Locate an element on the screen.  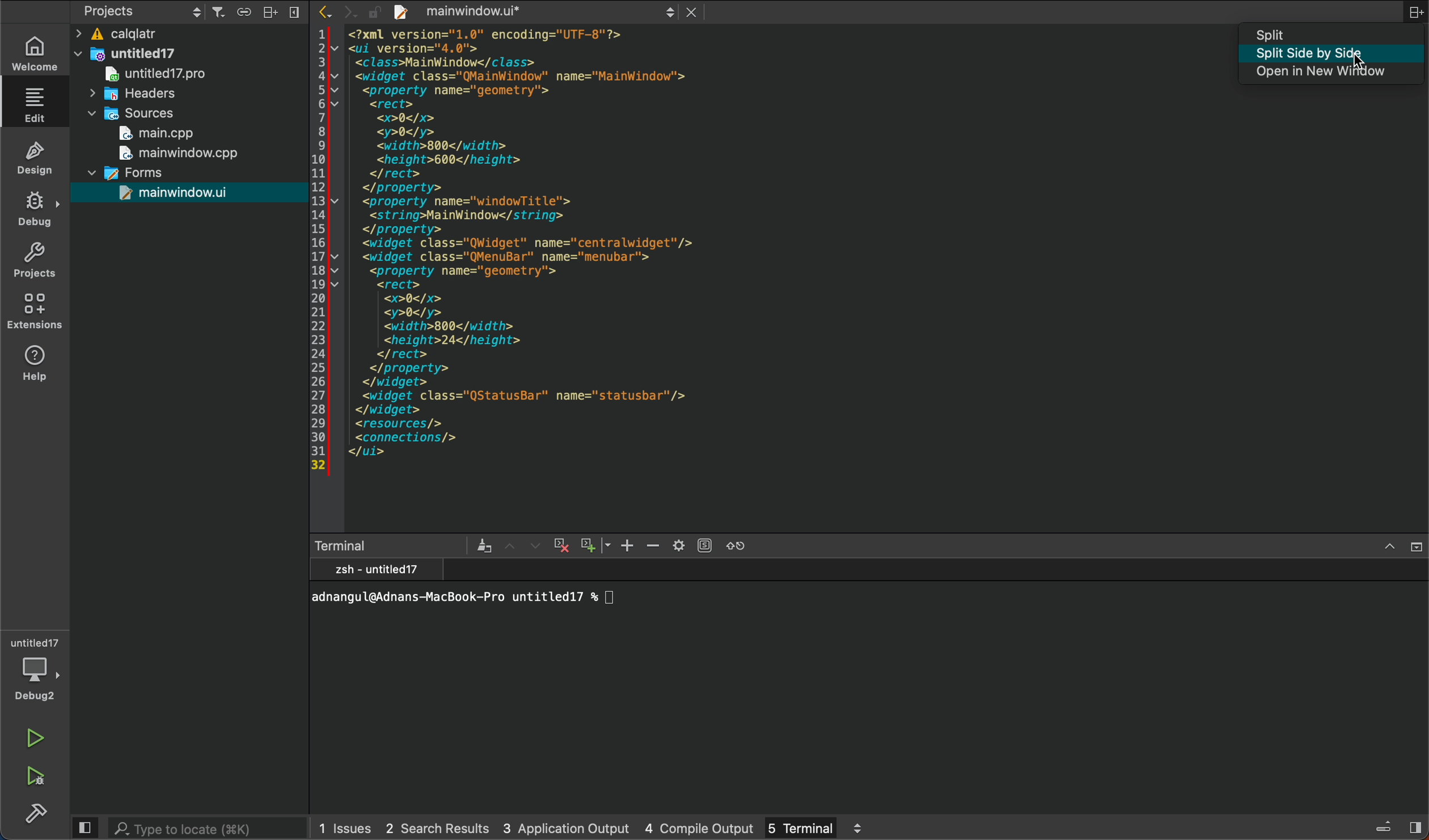
split is located at coordinates (270, 12).